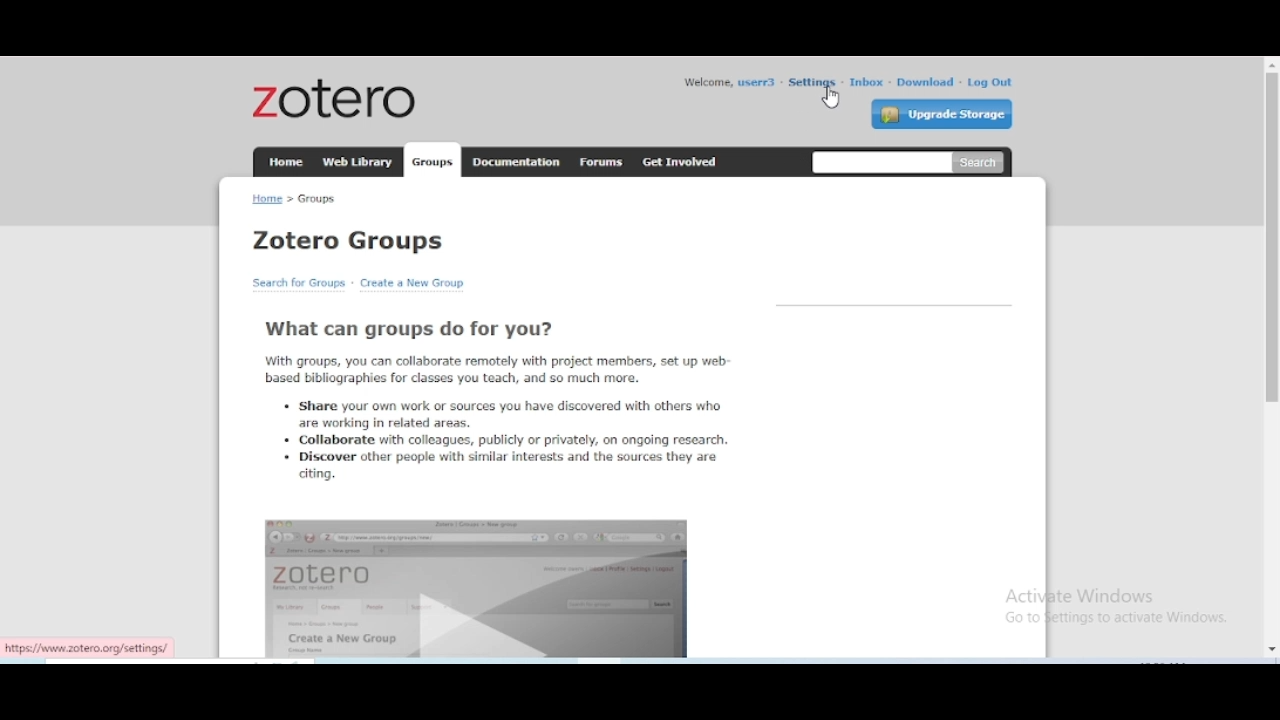 The height and width of the screenshot is (720, 1280). Describe the element at coordinates (499, 368) in the screenshot. I see `‘With groups, you can collaborate remotely with project members, set up web-
based bibliographies for classes you teach, and so much more.` at that location.